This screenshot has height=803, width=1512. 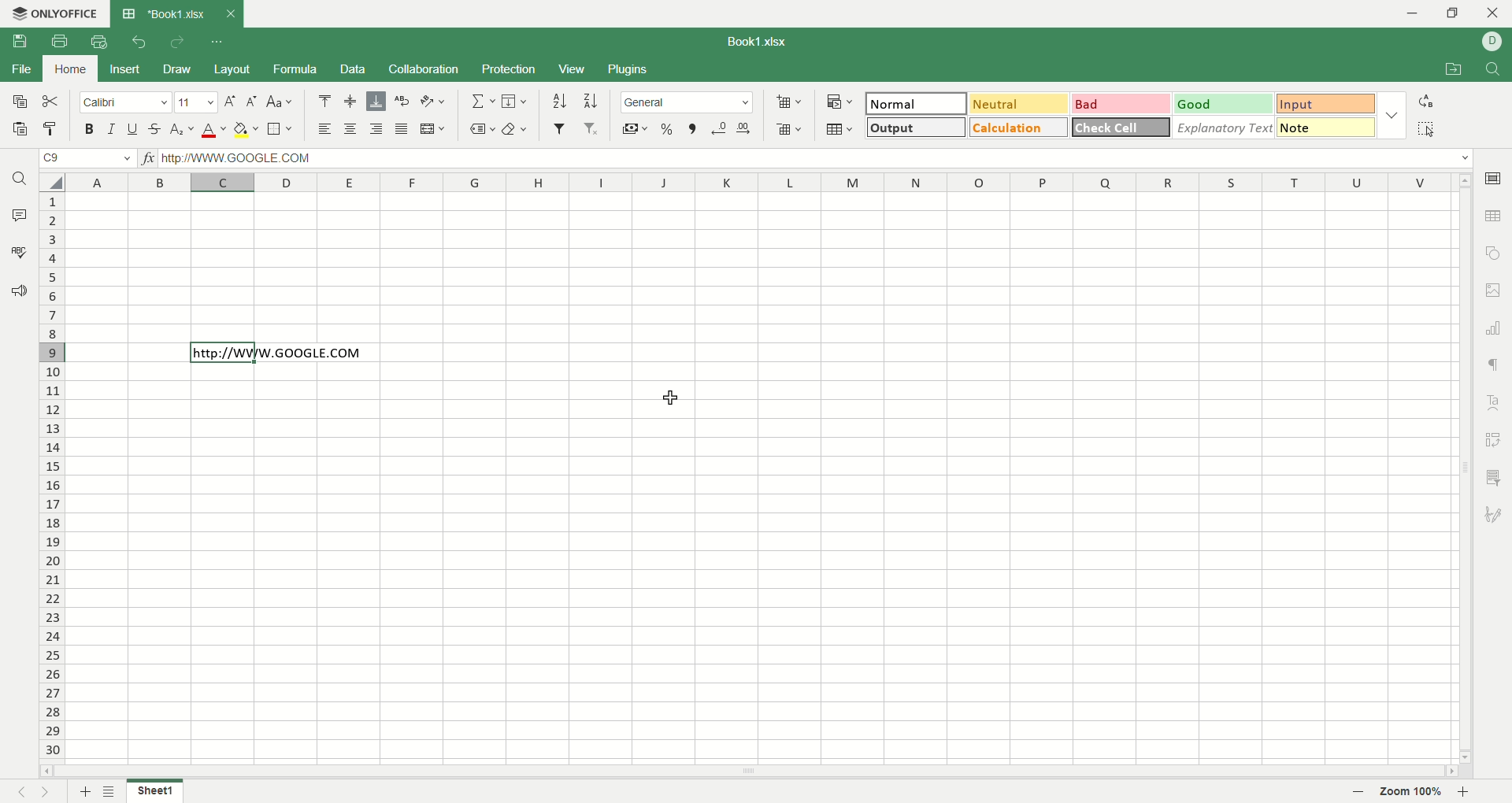 What do you see at coordinates (18, 212) in the screenshot?
I see `comment` at bounding box center [18, 212].